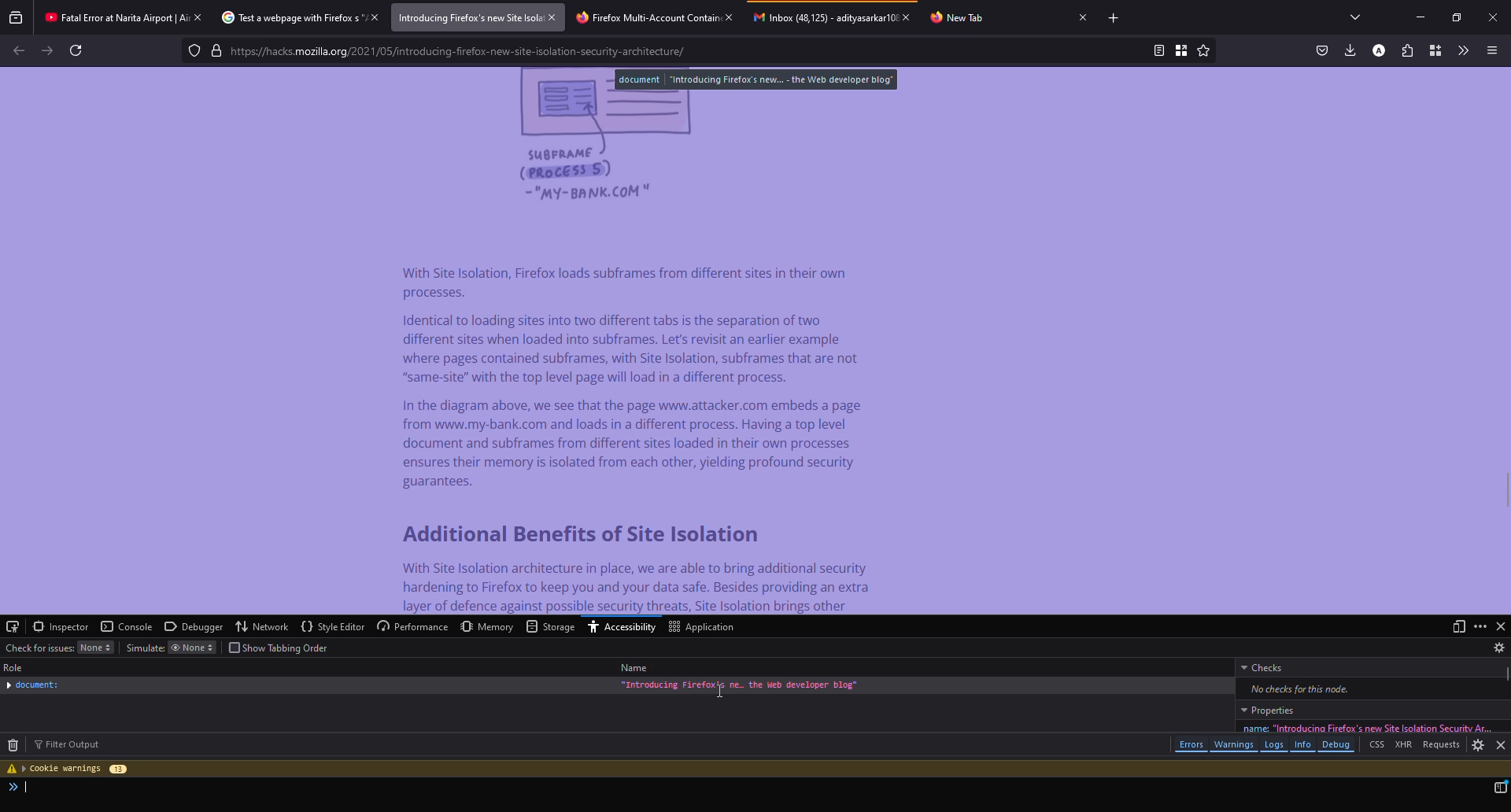  Describe the element at coordinates (1454, 17) in the screenshot. I see `maximize` at that location.